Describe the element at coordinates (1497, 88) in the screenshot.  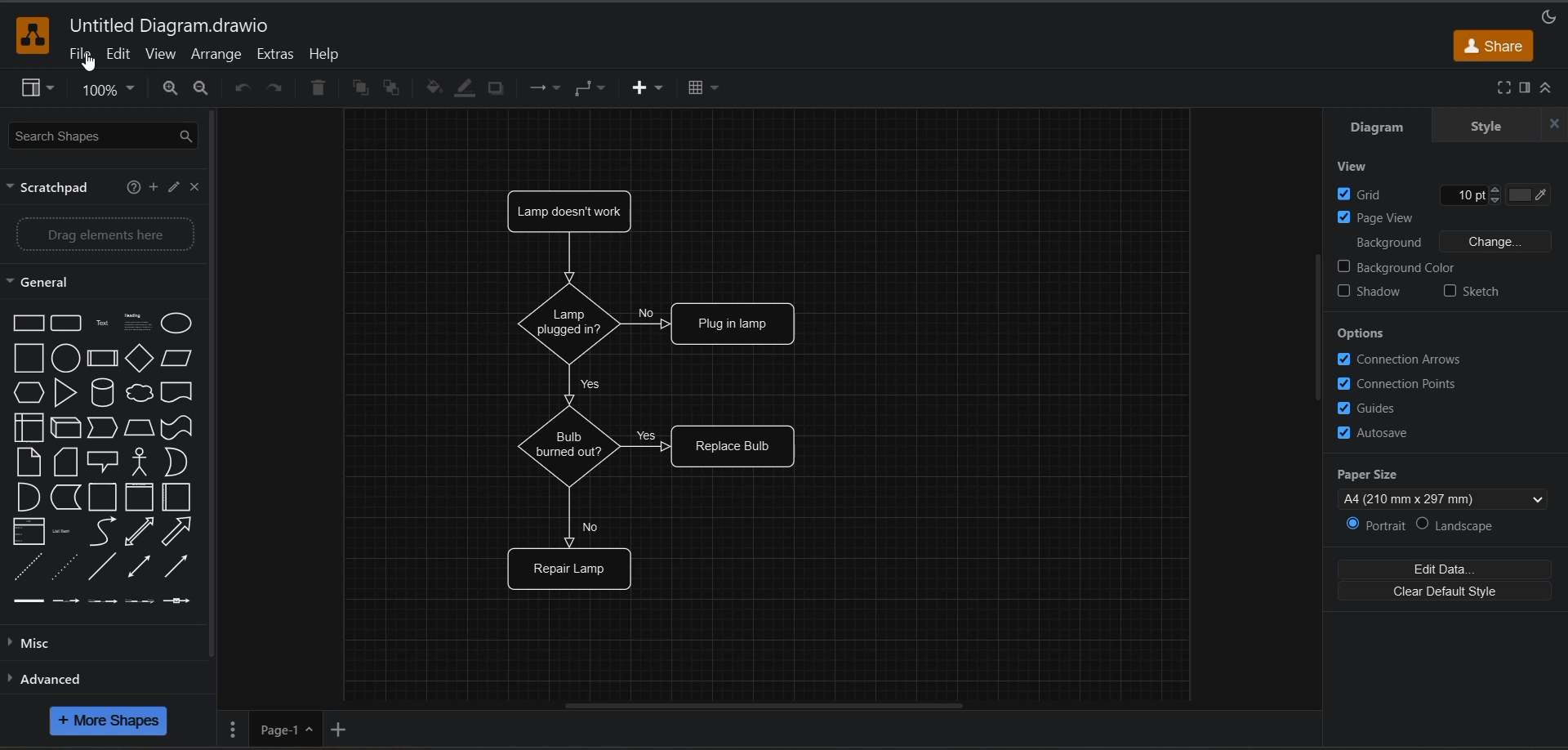
I see `fullscreen` at that location.